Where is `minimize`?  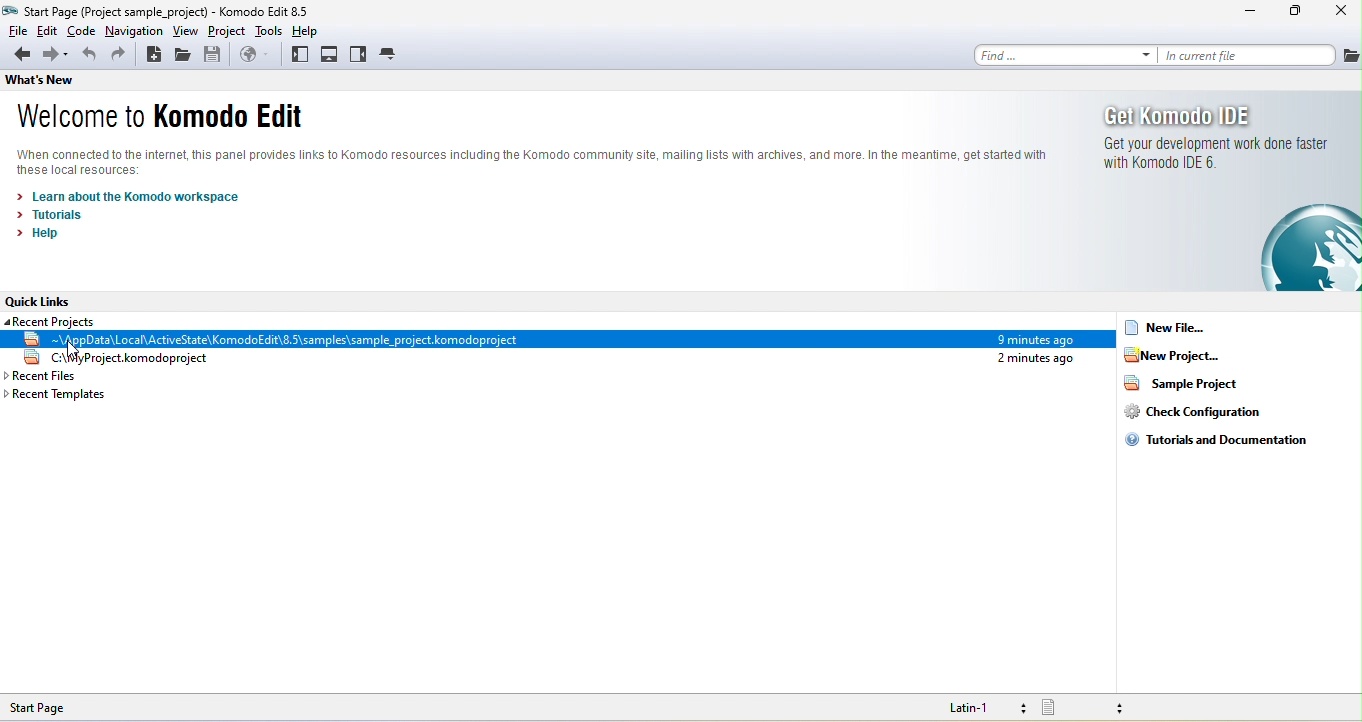 minimize is located at coordinates (1245, 16).